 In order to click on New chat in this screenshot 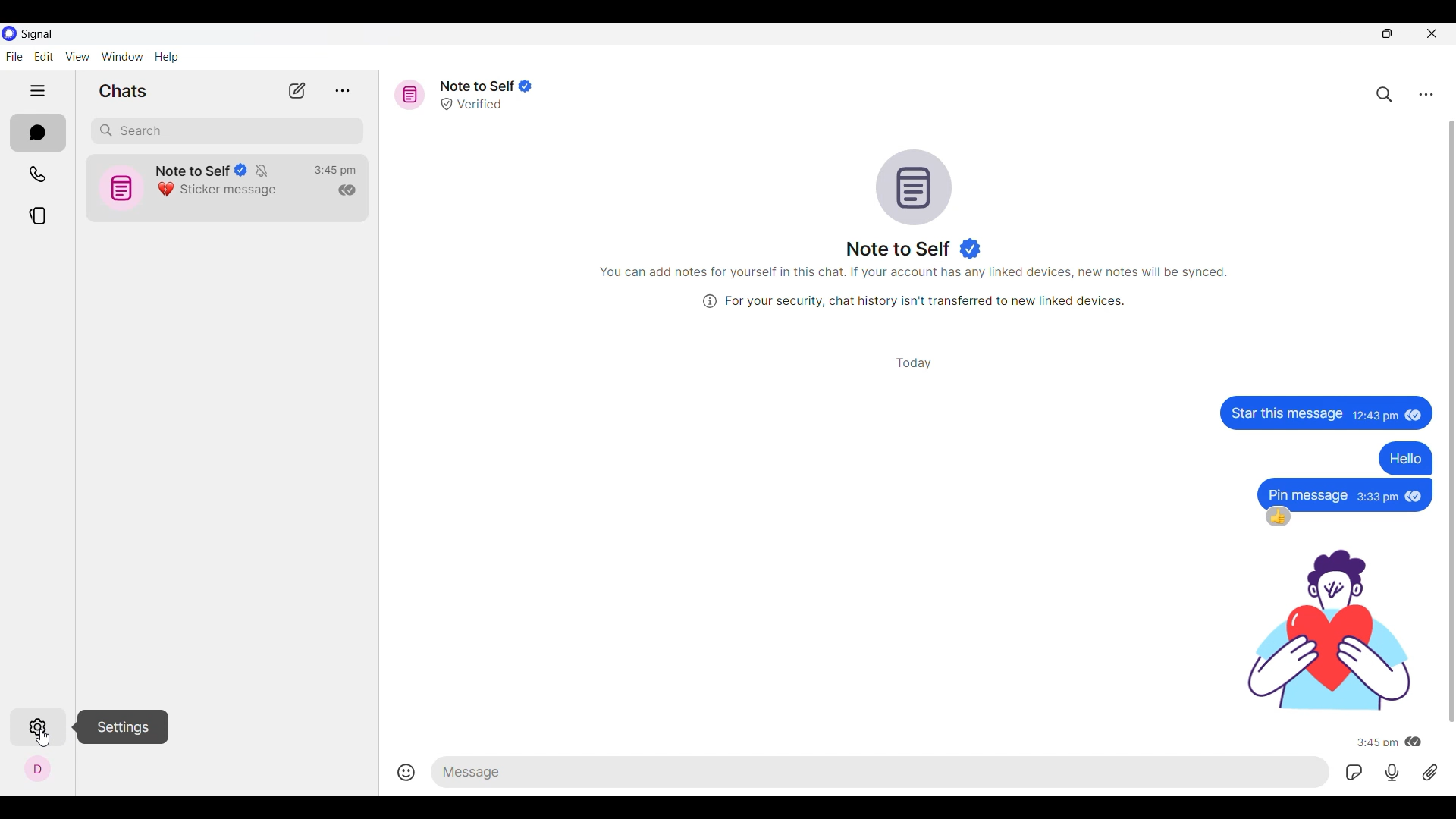, I will do `click(297, 90)`.